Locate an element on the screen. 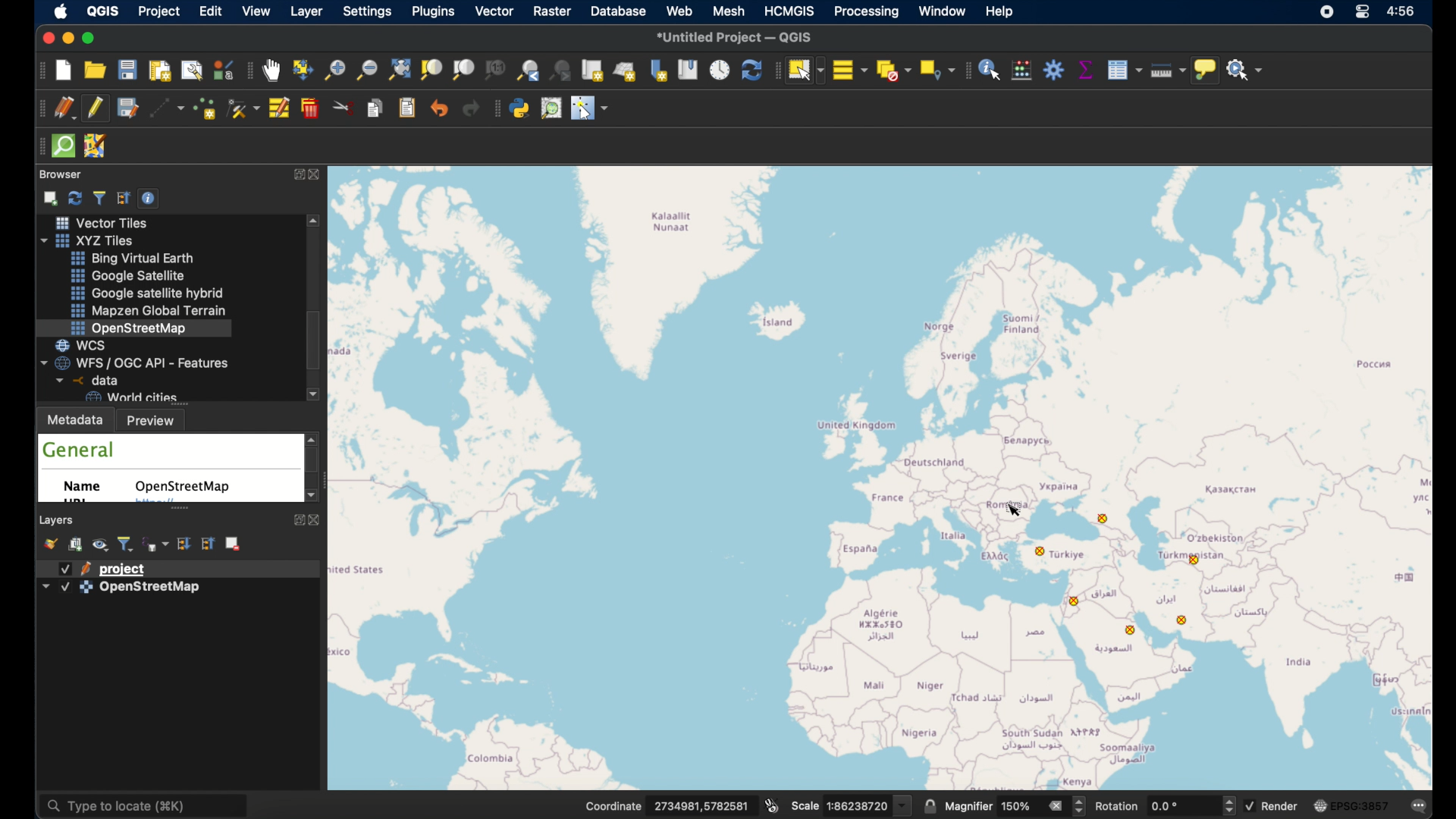 This screenshot has width=1456, height=819. scroll down arrow is located at coordinates (315, 395).